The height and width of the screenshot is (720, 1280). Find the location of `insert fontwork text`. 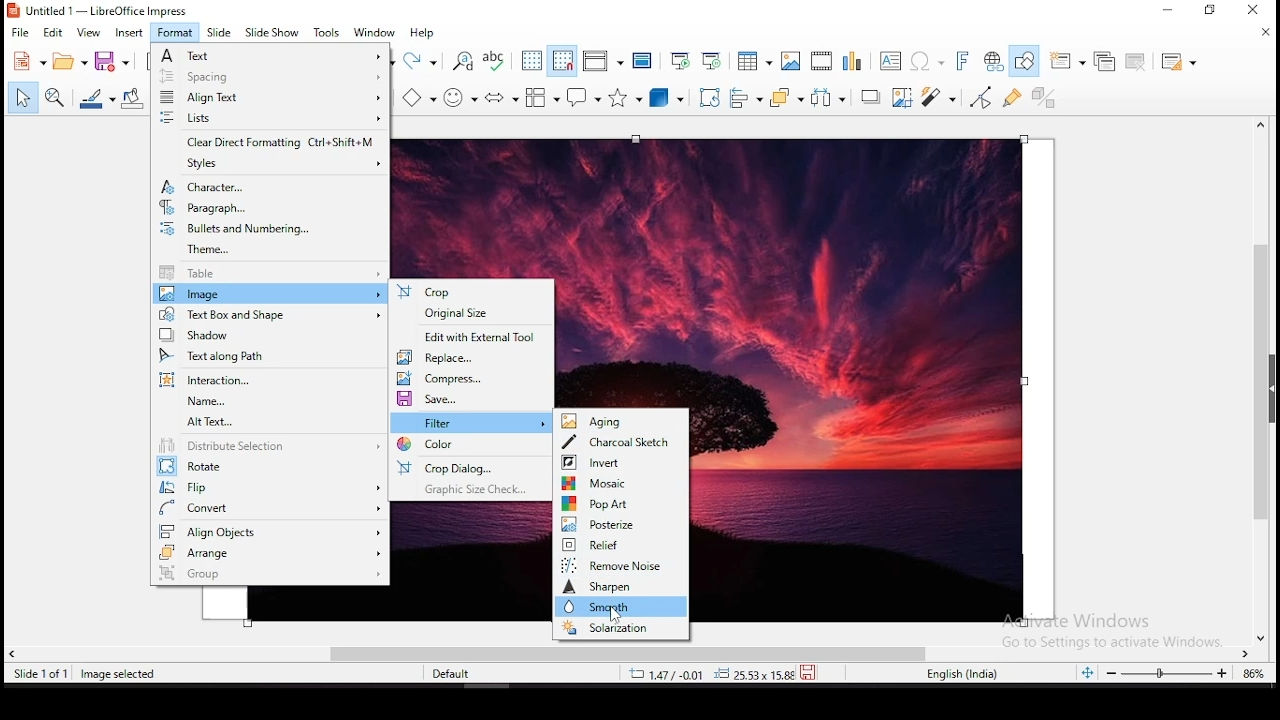

insert fontwork text is located at coordinates (964, 60).